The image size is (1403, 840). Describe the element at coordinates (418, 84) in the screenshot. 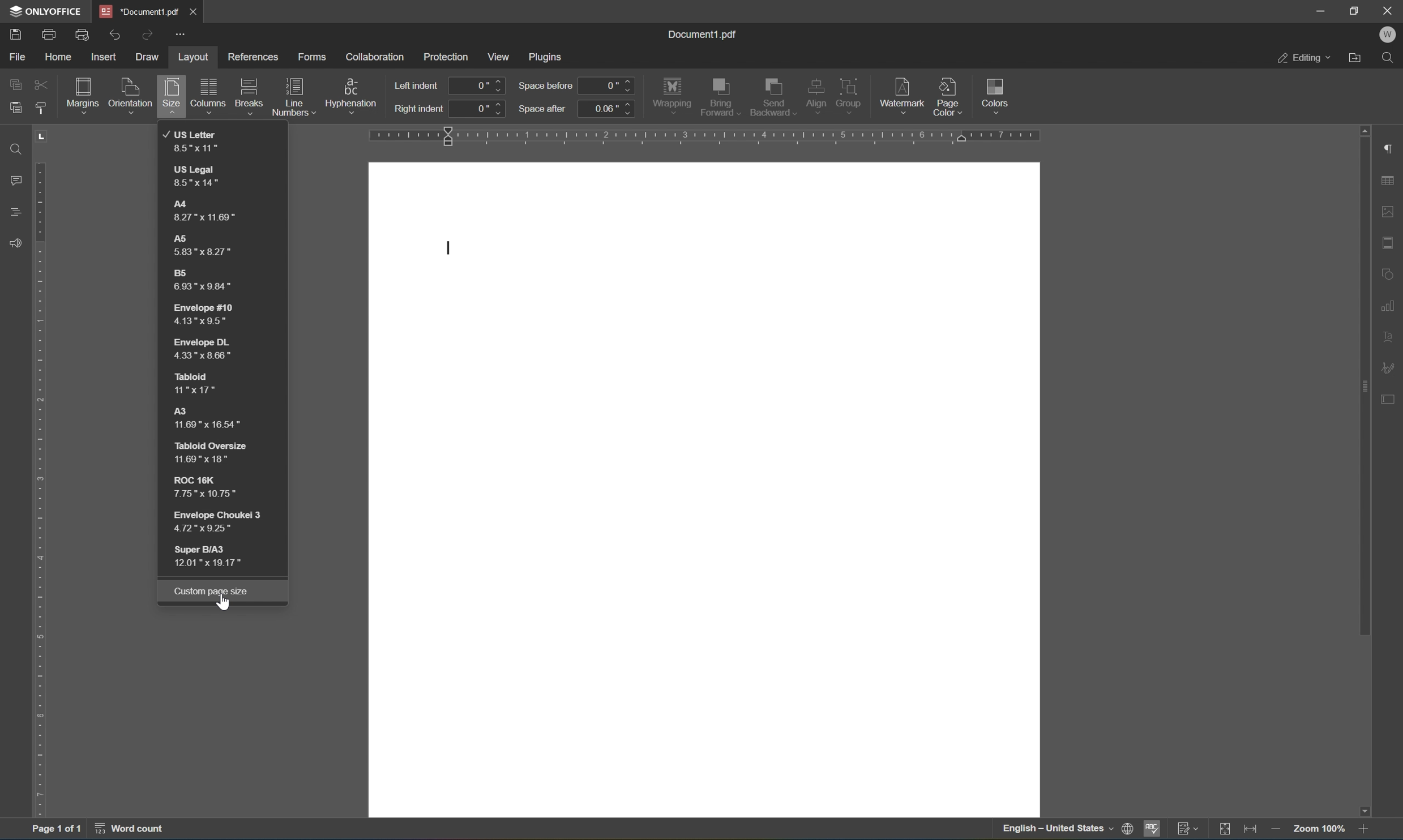

I see `left indent` at that location.